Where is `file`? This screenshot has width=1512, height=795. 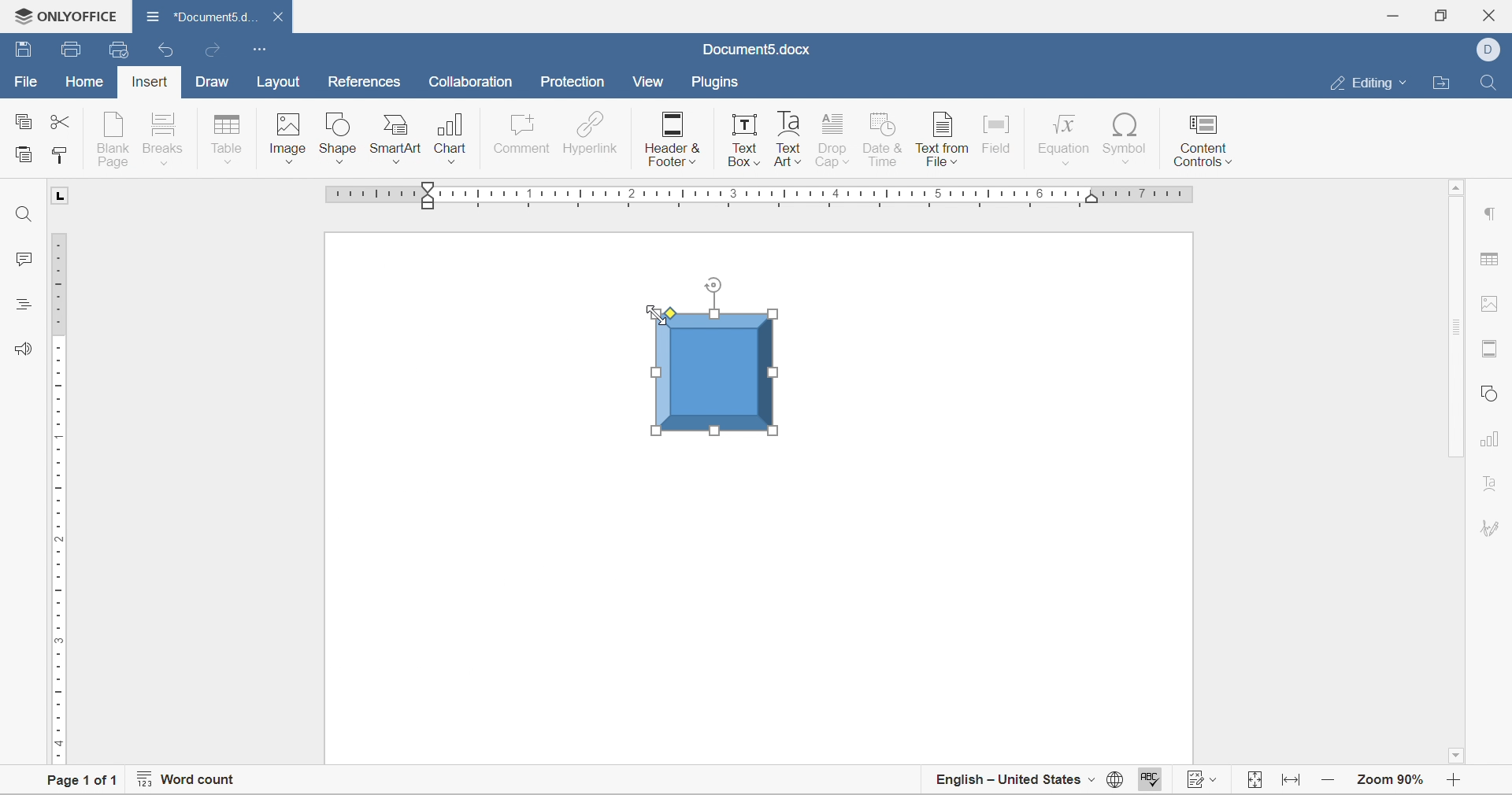
file is located at coordinates (26, 80).